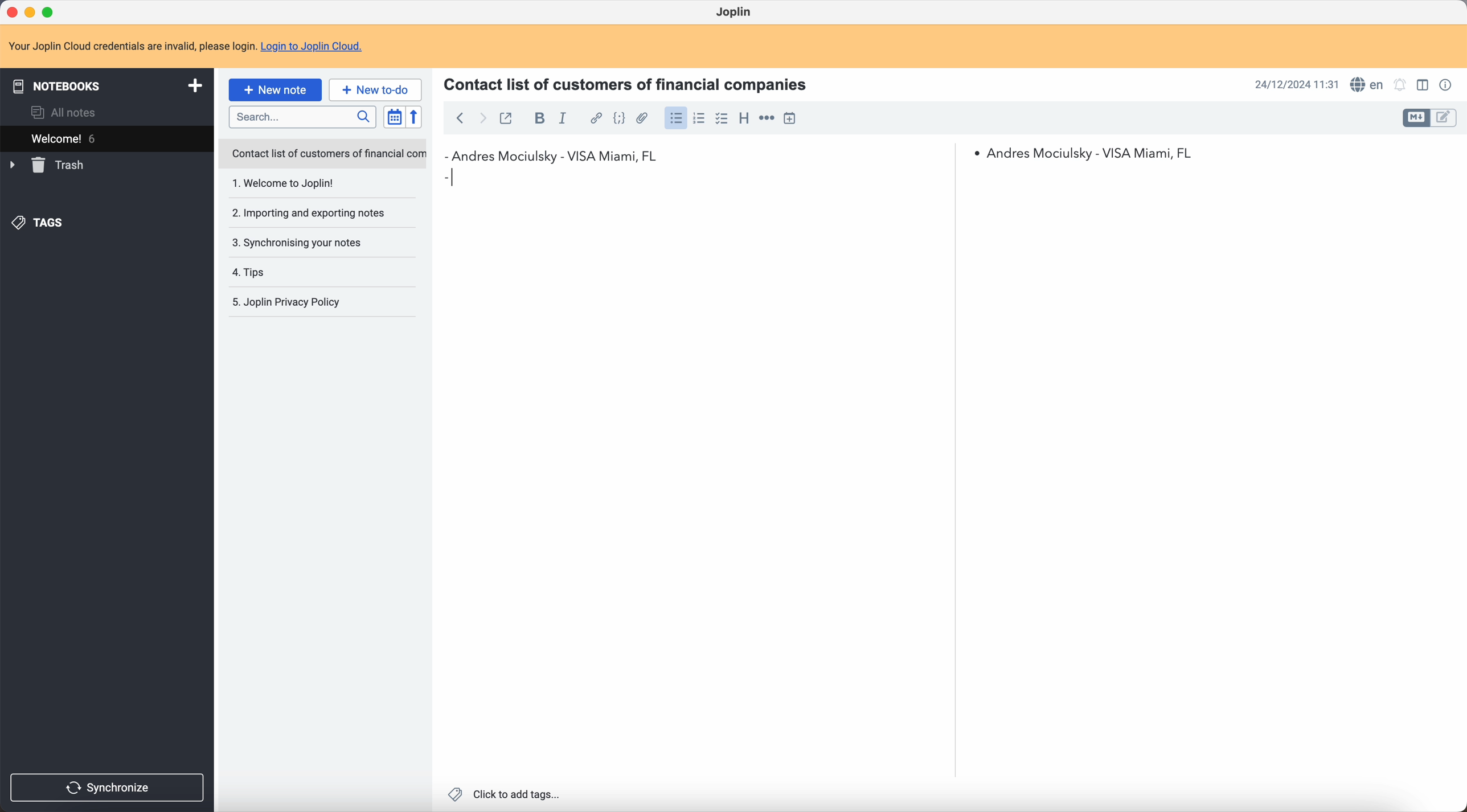 This screenshot has height=812, width=1467. Describe the element at coordinates (619, 119) in the screenshot. I see `code` at that location.